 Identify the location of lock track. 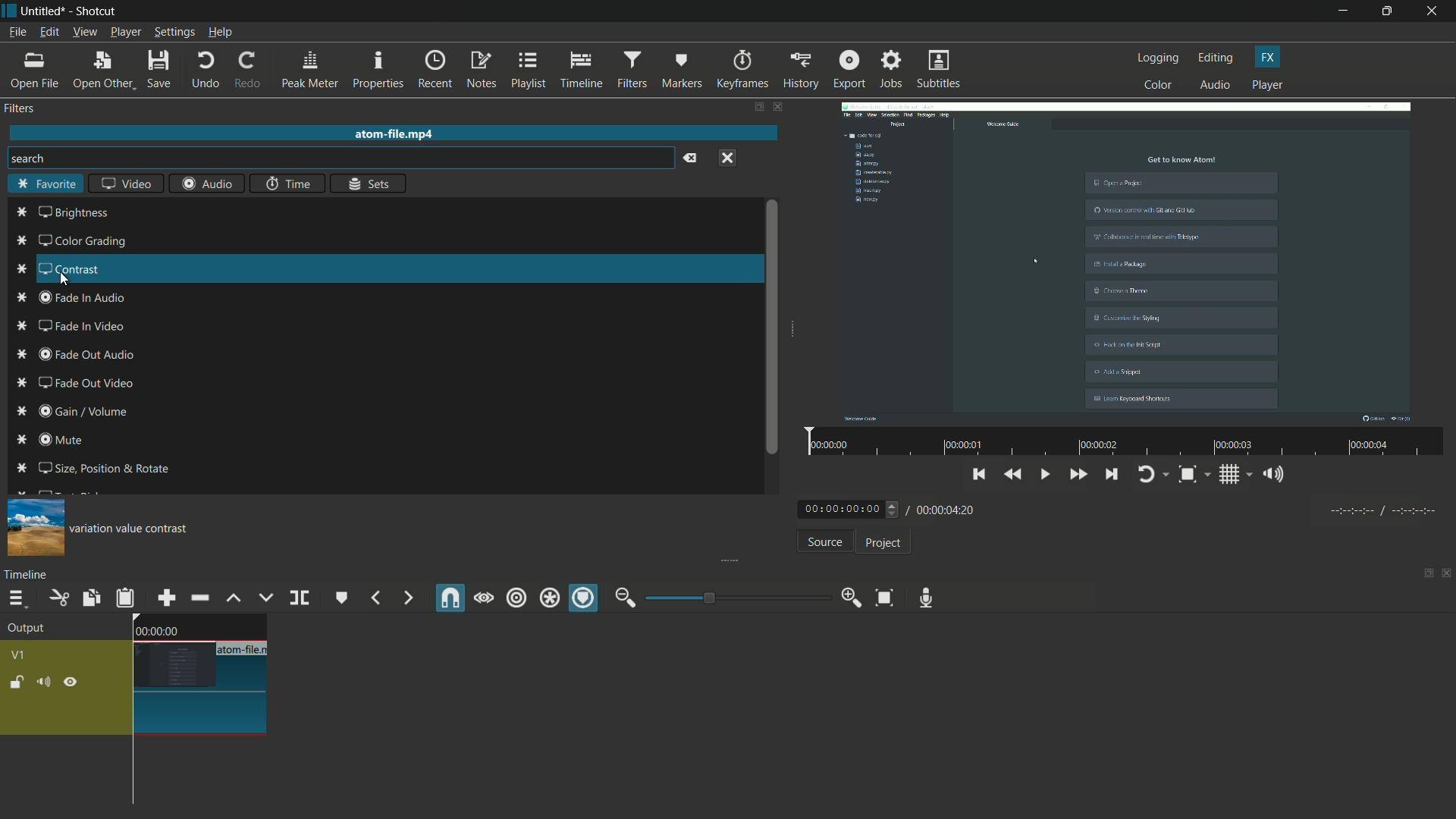
(19, 682).